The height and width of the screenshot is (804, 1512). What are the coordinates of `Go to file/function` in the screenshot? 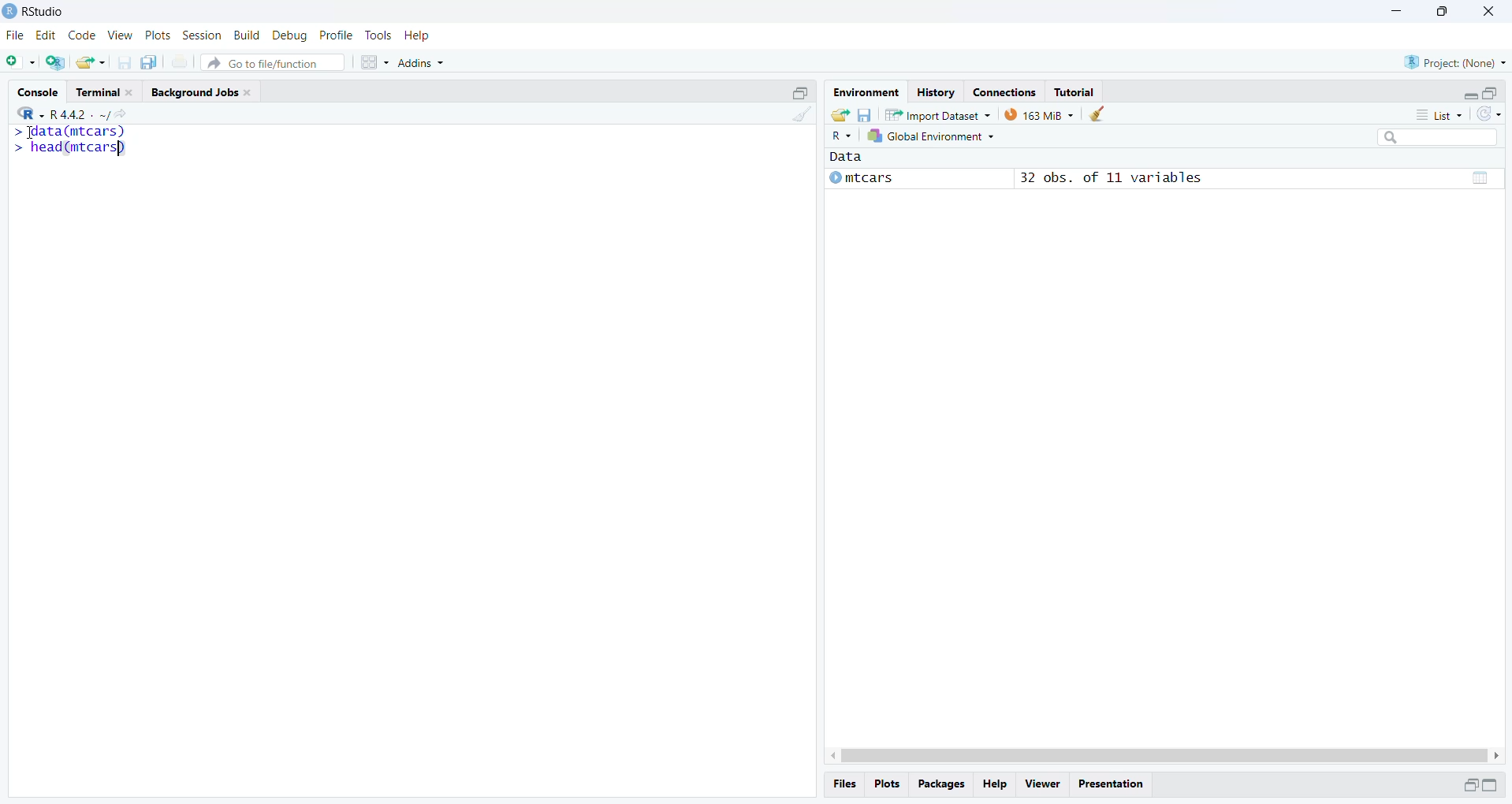 It's located at (271, 63).